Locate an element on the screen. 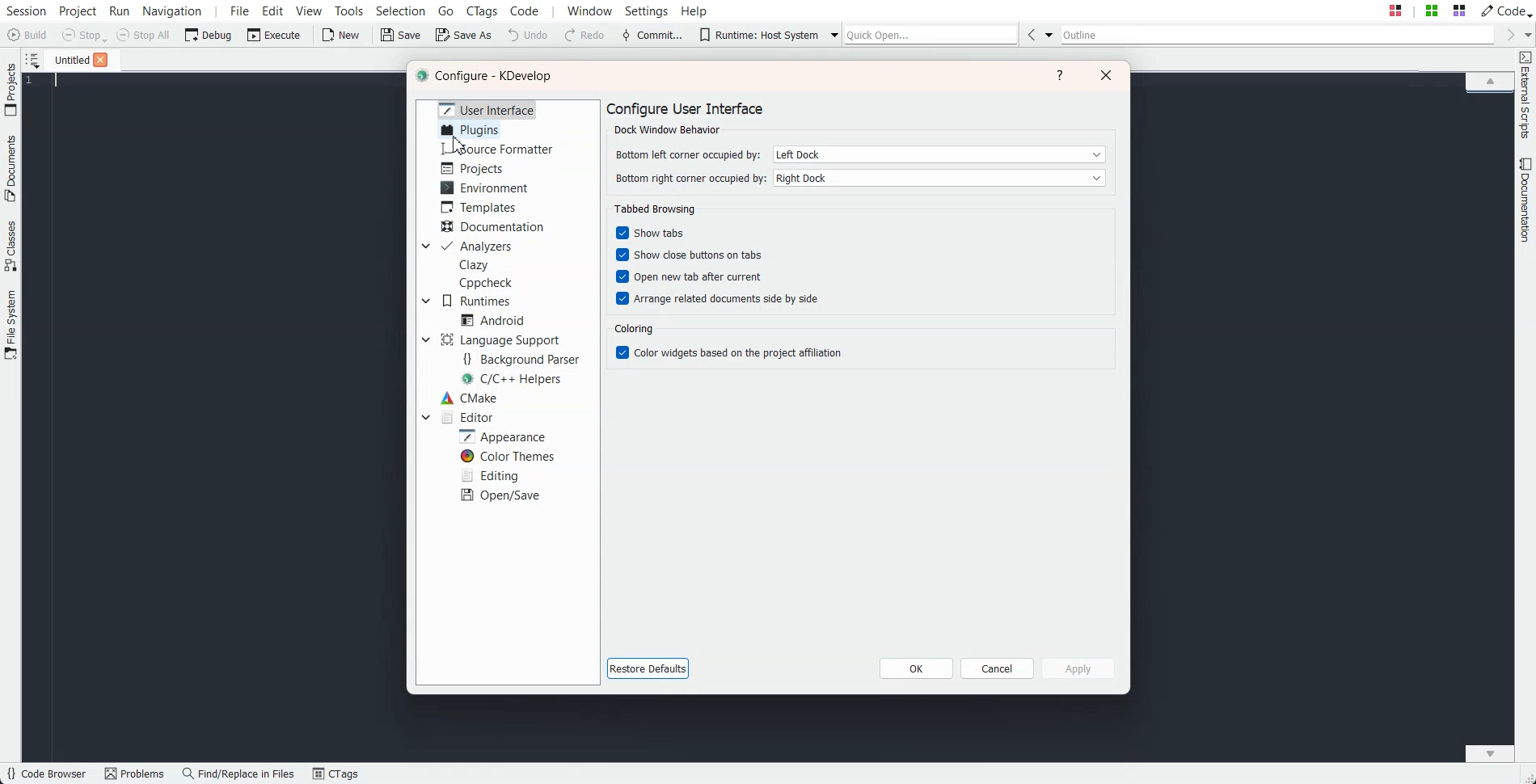  Android is located at coordinates (492, 320).